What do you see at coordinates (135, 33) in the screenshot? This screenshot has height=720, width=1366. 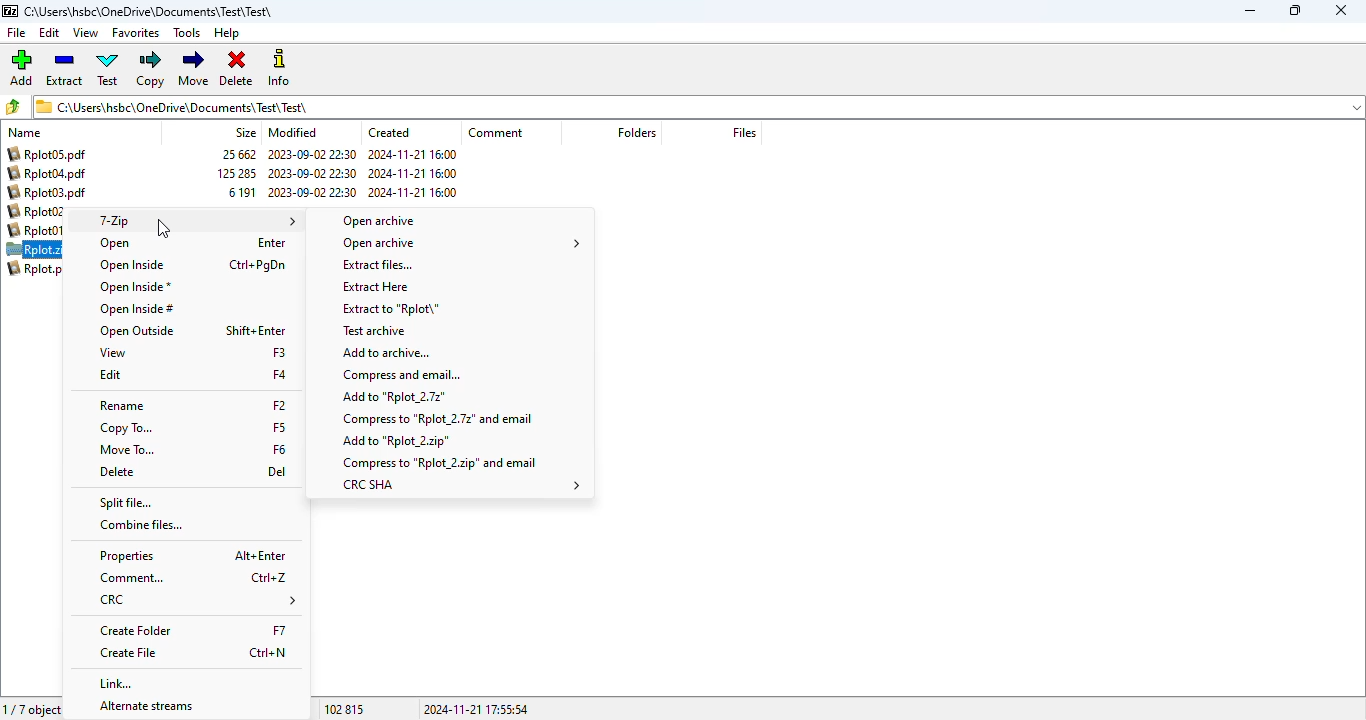 I see `favorites` at bounding box center [135, 33].